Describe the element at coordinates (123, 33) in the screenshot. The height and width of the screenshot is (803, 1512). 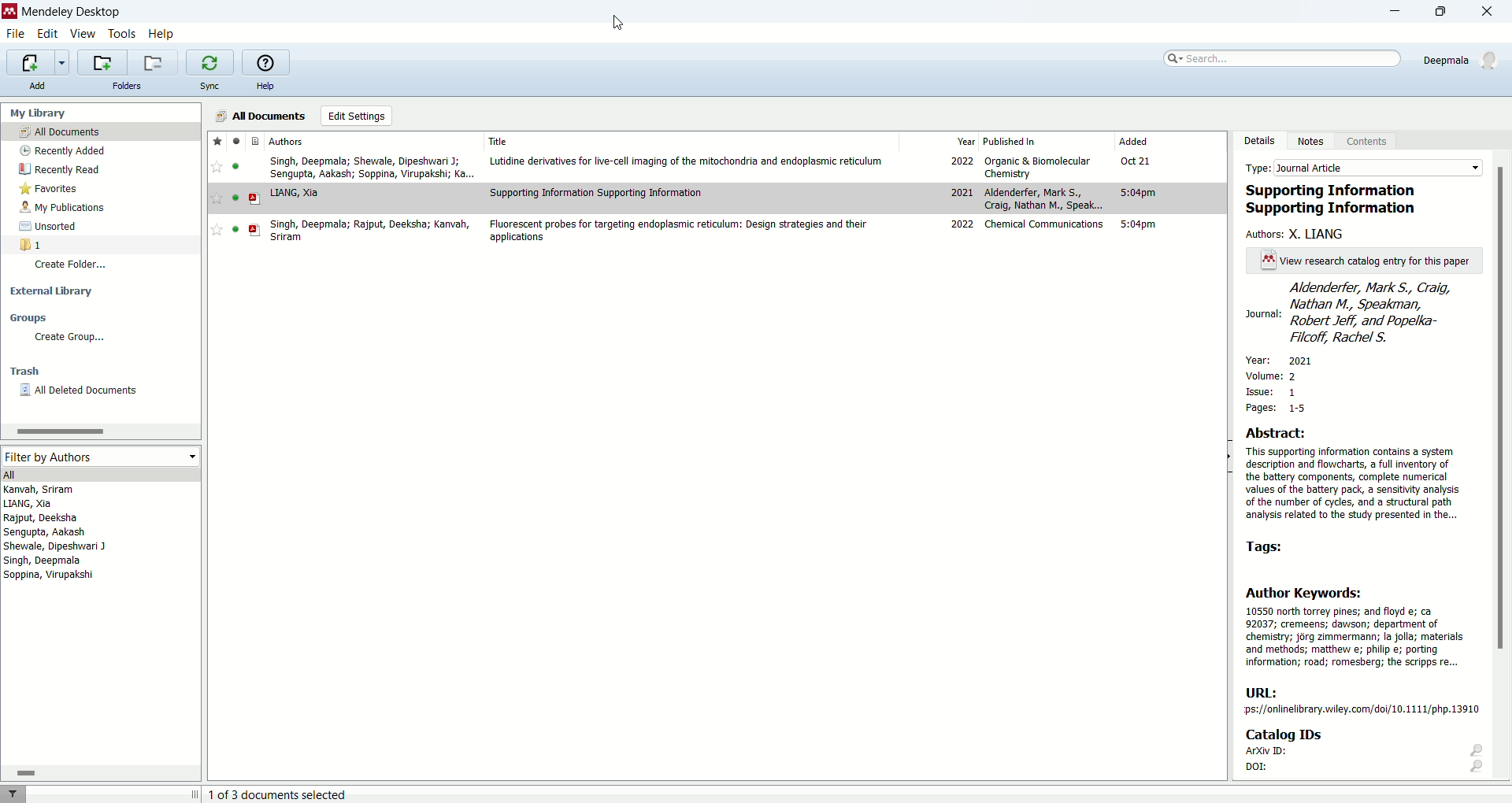
I see `tools` at that location.